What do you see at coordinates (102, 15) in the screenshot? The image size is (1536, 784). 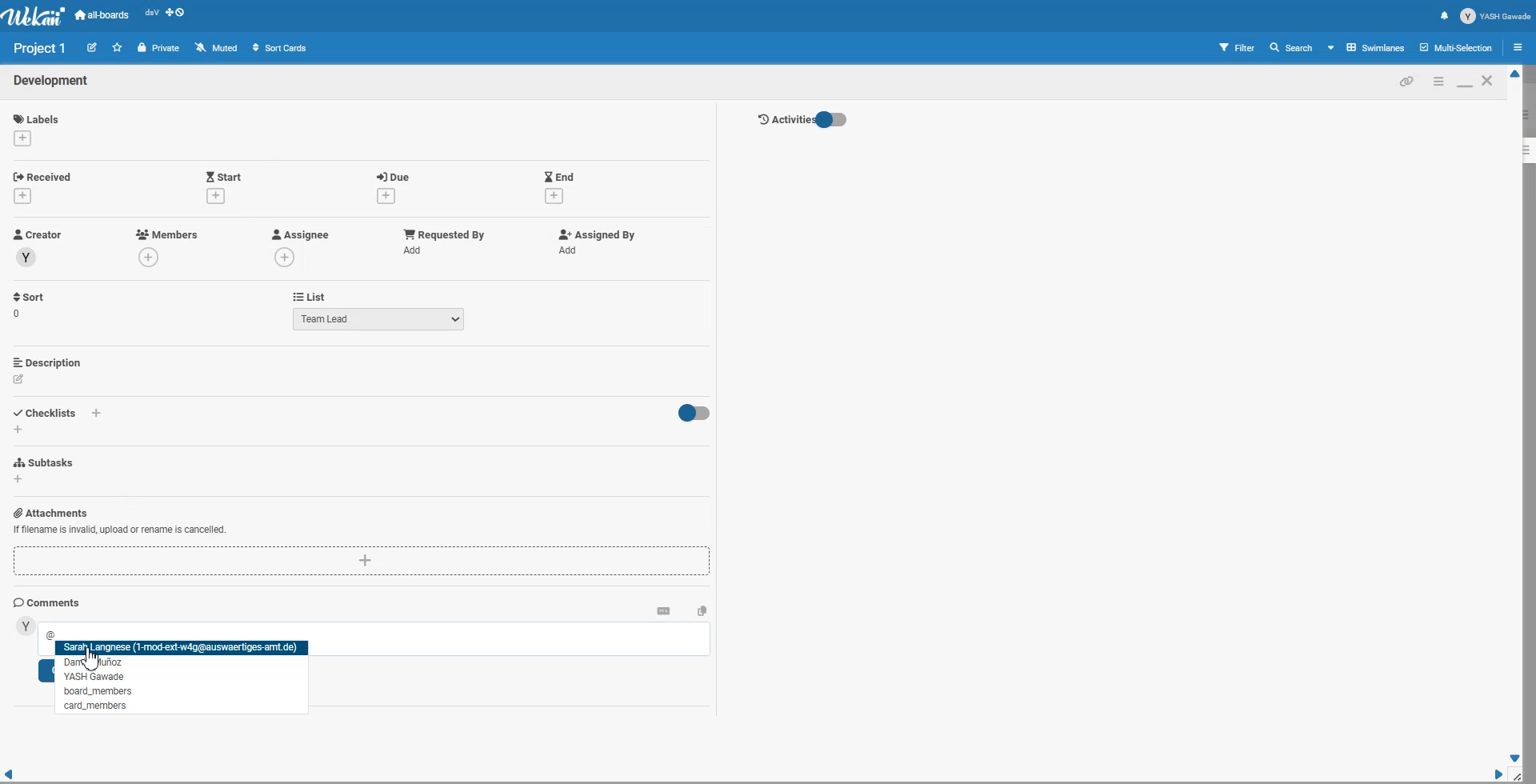 I see `all-boards` at bounding box center [102, 15].